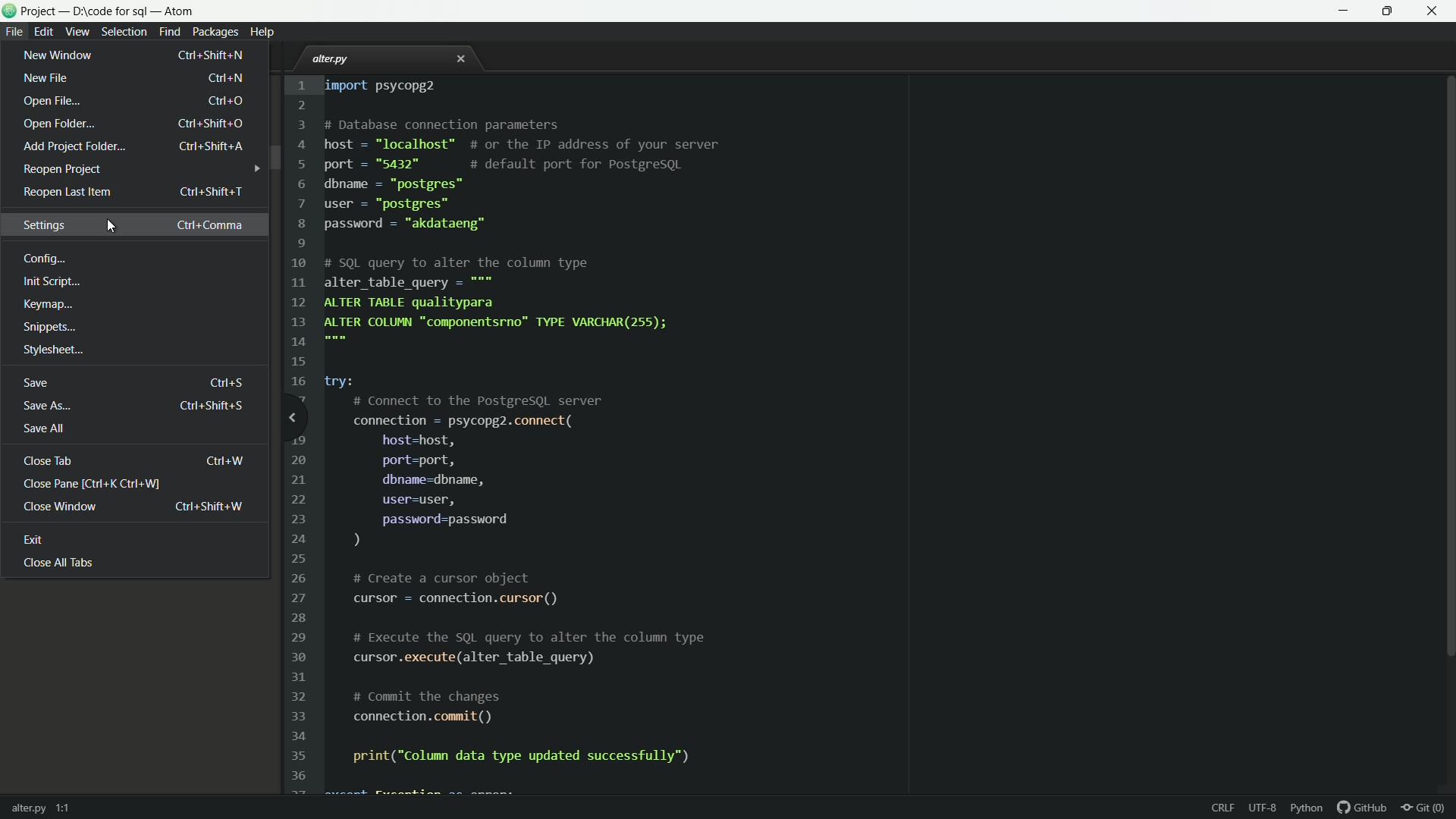 Image resolution: width=1456 pixels, height=819 pixels. Describe the element at coordinates (34, 541) in the screenshot. I see `exit` at that location.